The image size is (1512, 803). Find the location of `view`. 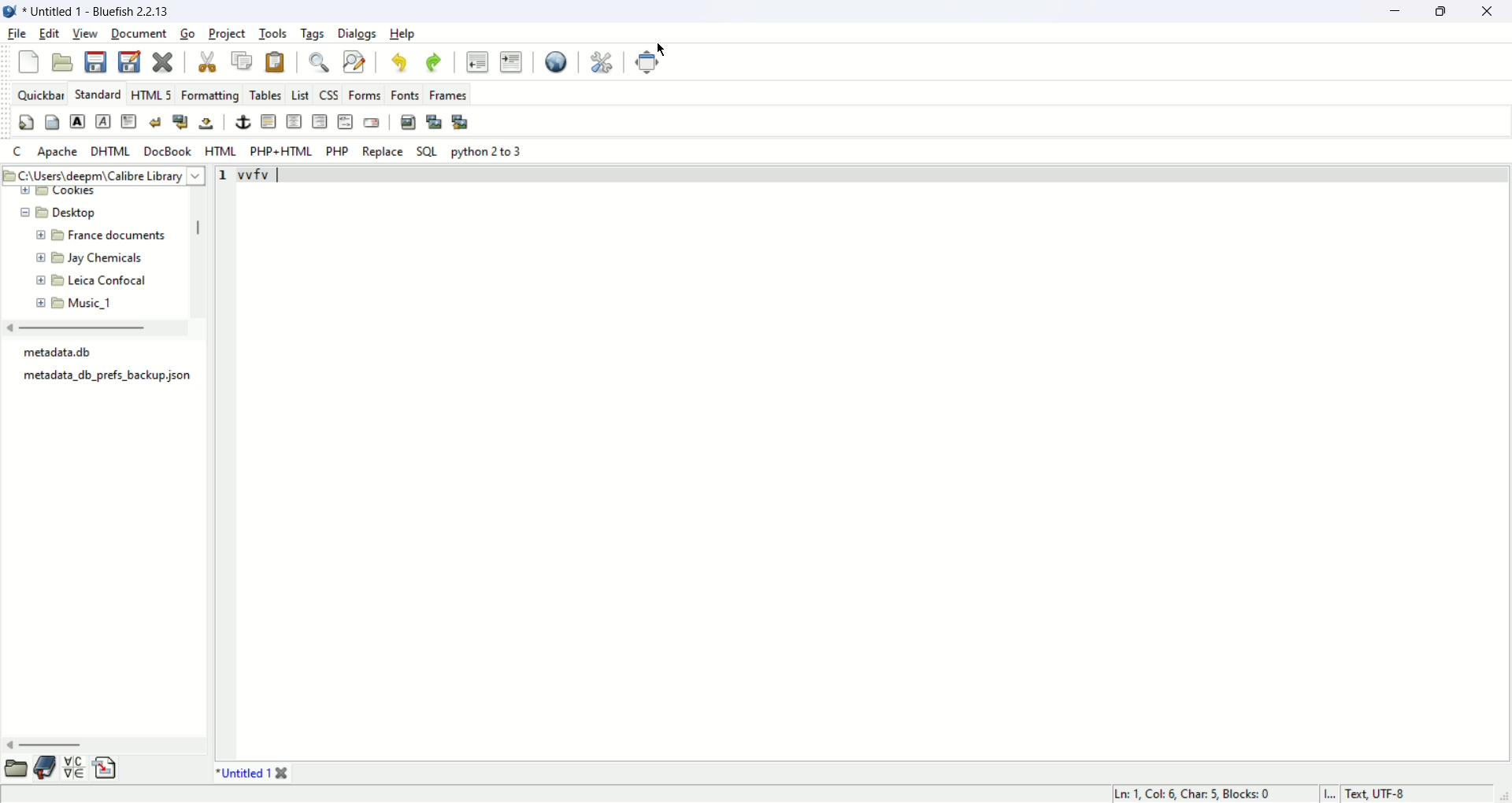

view is located at coordinates (83, 33).